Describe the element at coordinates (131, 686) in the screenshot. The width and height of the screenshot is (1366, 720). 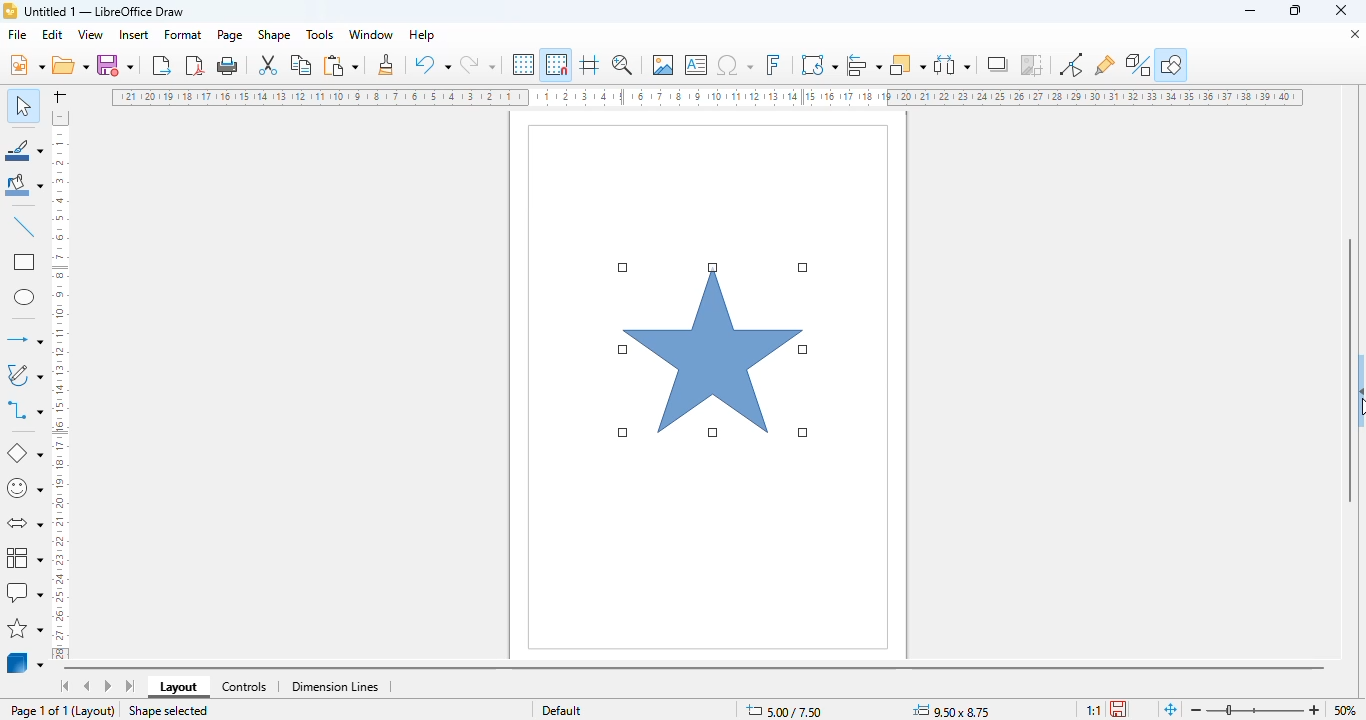
I see `scroll to last sheet` at that location.